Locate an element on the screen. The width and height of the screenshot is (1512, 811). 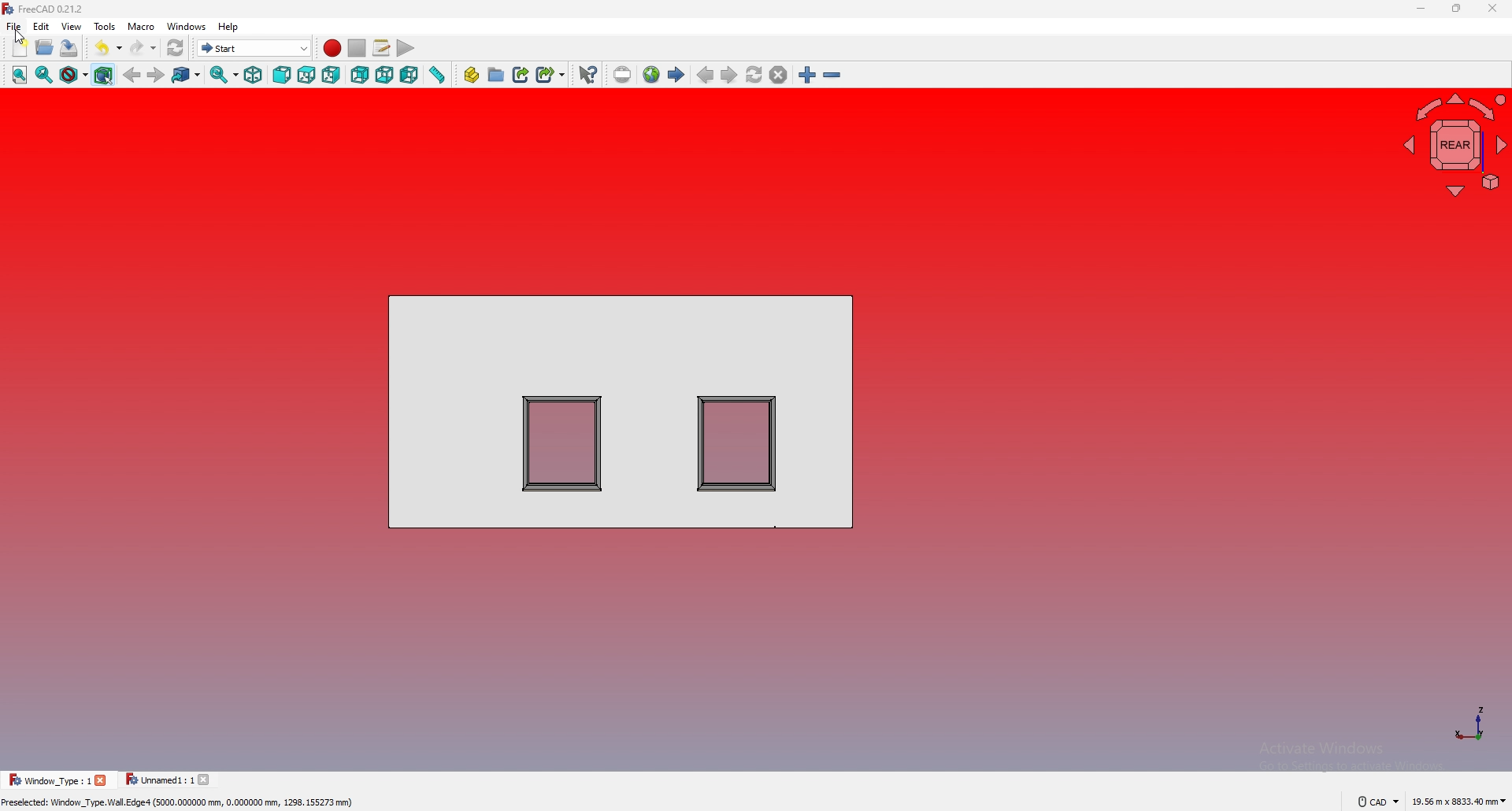
stop macros is located at coordinates (357, 48).